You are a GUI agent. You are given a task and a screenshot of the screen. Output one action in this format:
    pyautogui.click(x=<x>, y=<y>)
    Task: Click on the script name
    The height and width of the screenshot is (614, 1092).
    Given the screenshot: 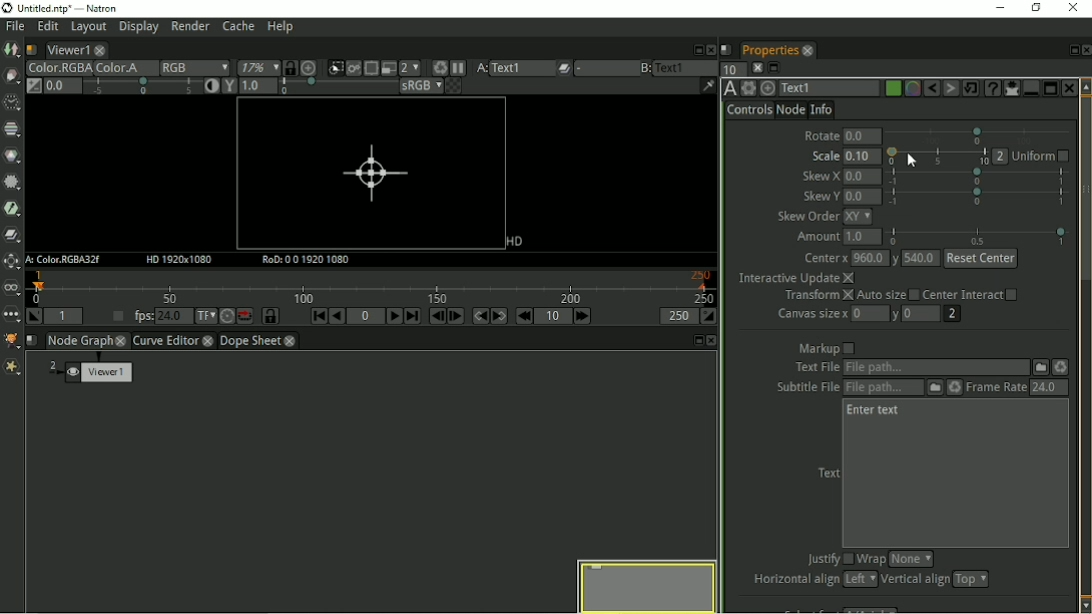 What is the action you would take?
    pyautogui.click(x=32, y=340)
    